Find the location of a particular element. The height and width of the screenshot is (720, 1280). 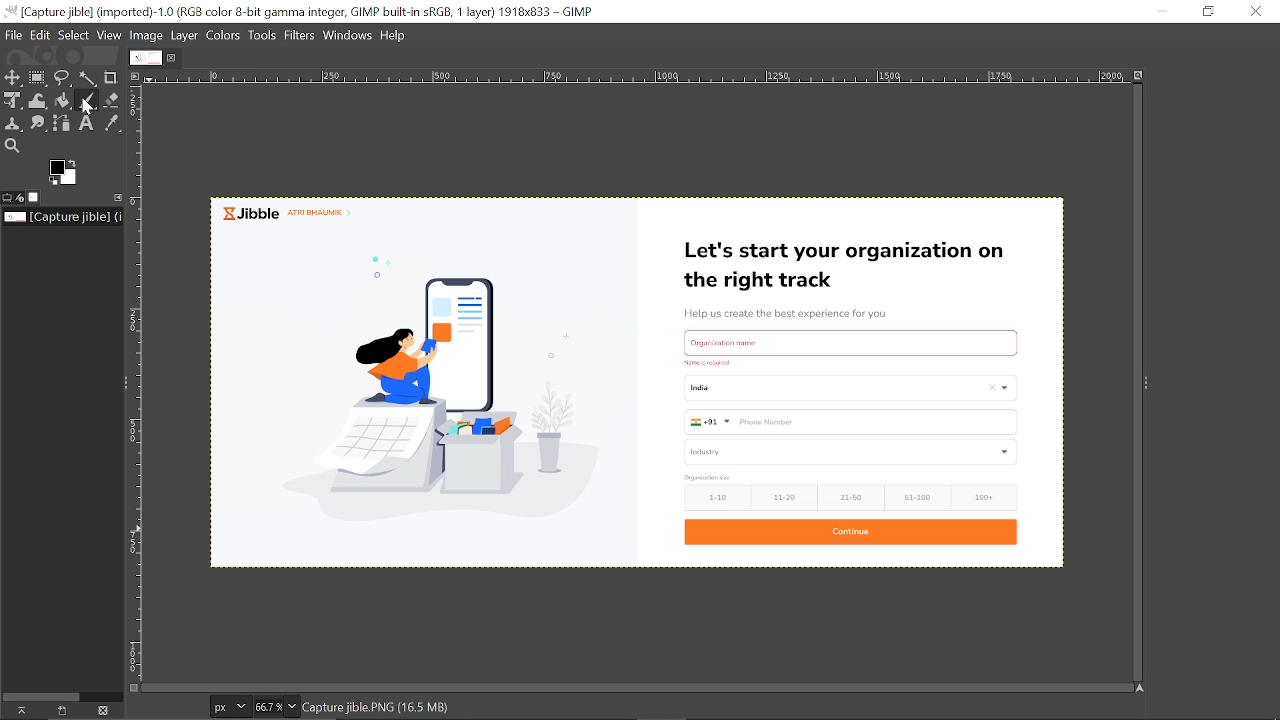

Color picker tool is located at coordinates (115, 124).